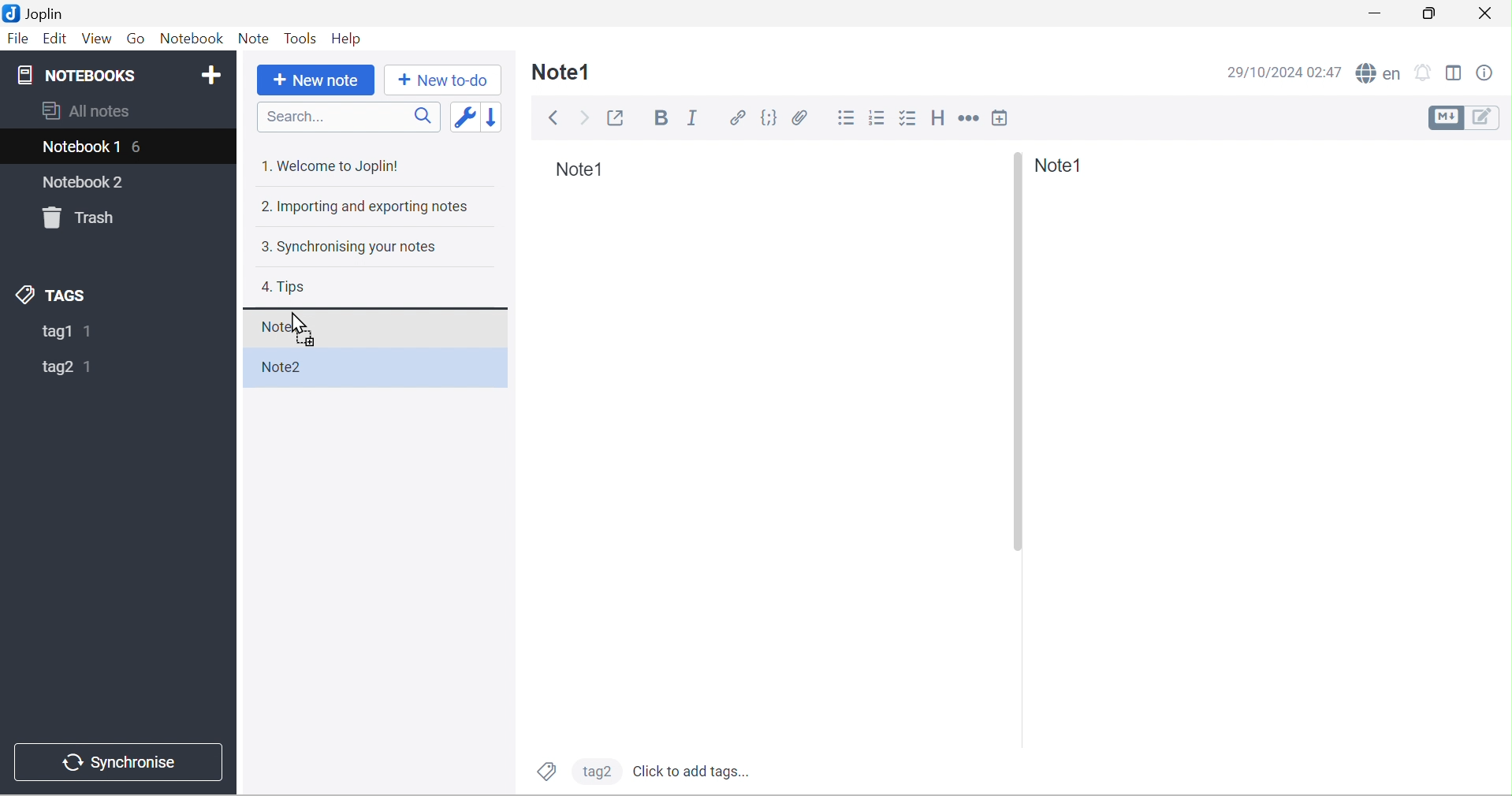 This screenshot has height=796, width=1512. What do you see at coordinates (1378, 14) in the screenshot?
I see `Minimize` at bounding box center [1378, 14].